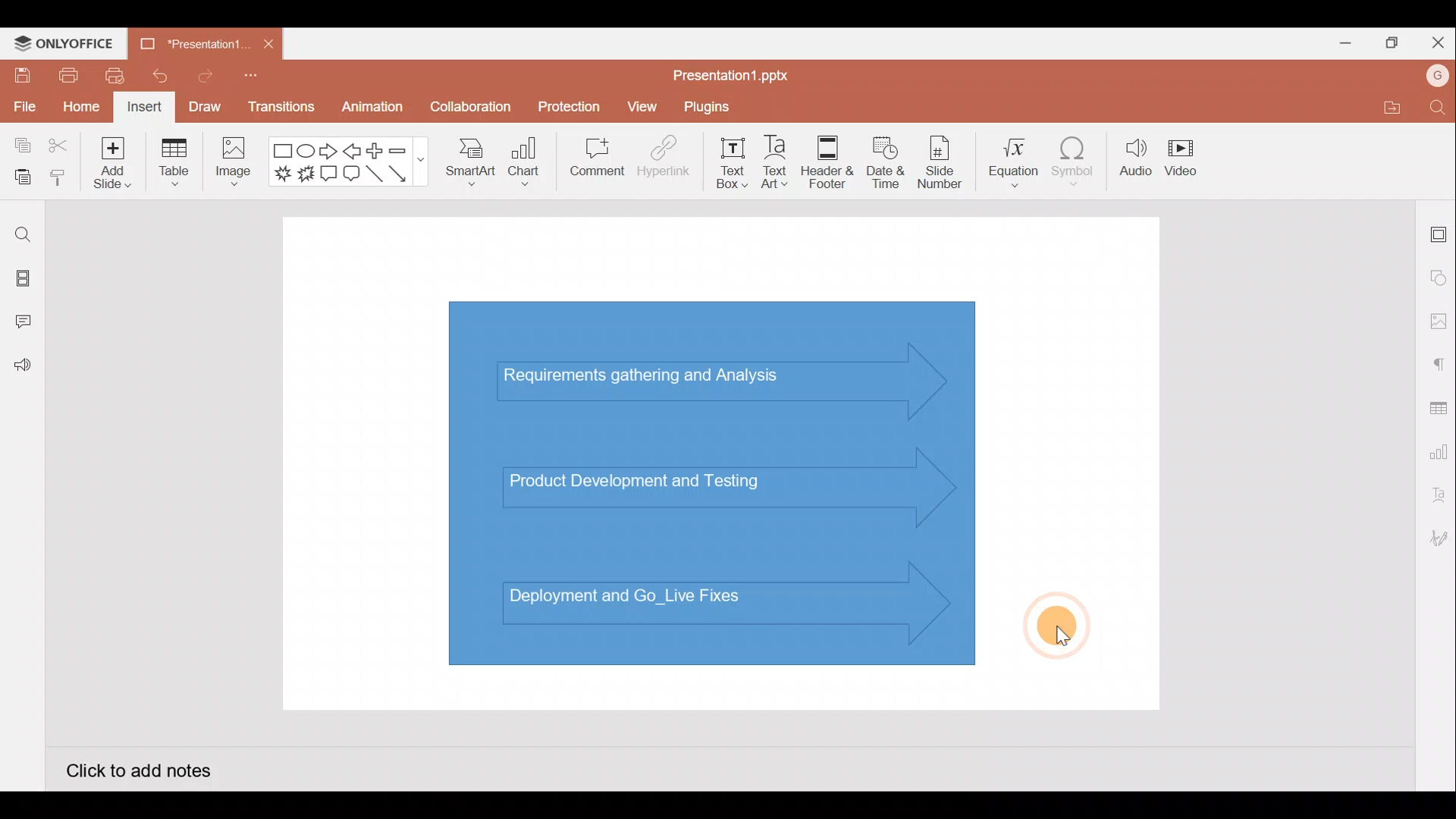 The width and height of the screenshot is (1456, 819). I want to click on Chart, so click(525, 160).